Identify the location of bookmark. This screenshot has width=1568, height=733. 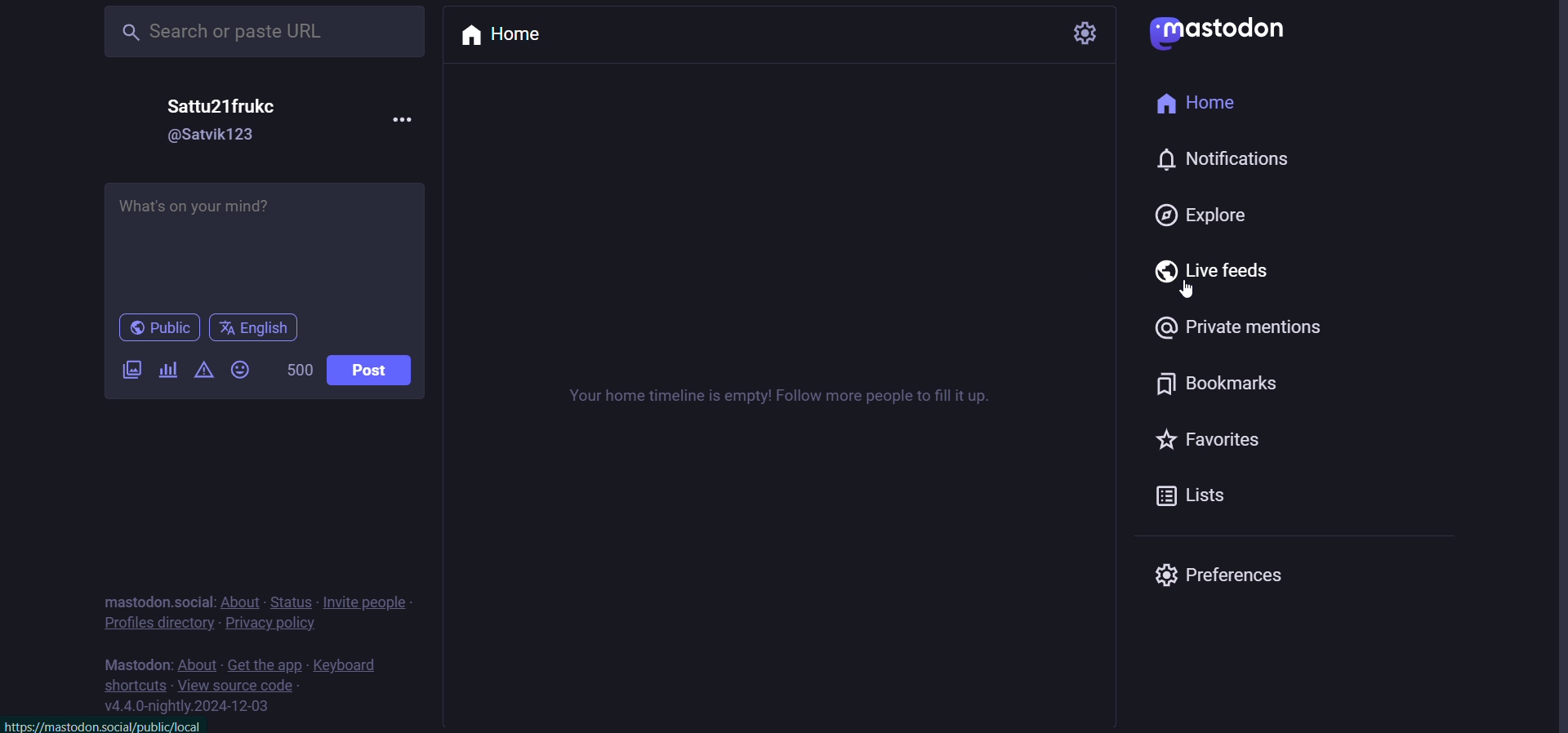
(1229, 384).